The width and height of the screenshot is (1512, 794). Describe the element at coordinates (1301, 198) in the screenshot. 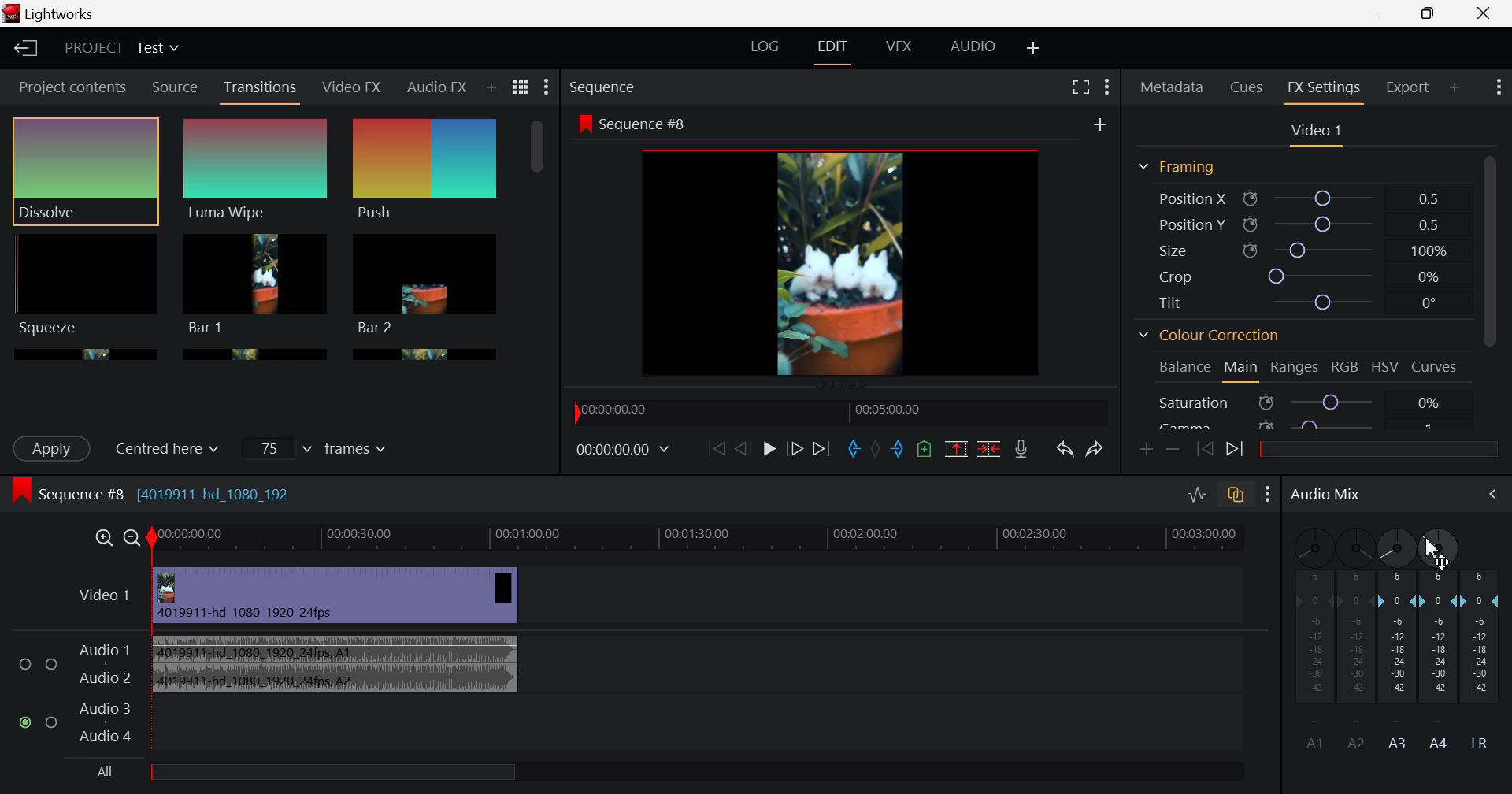

I see `Position X` at that location.